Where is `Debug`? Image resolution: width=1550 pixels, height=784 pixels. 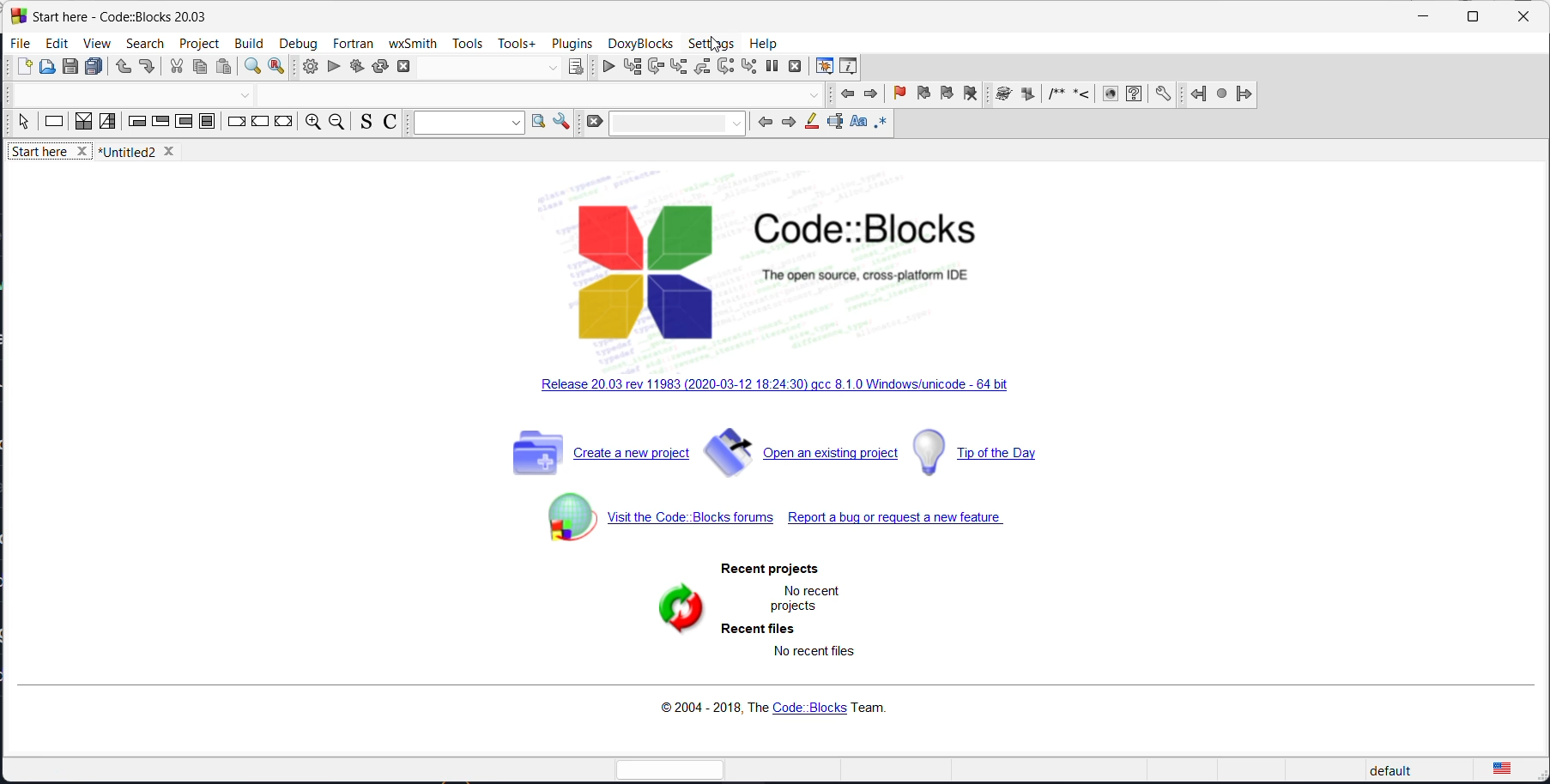
Debug is located at coordinates (298, 41).